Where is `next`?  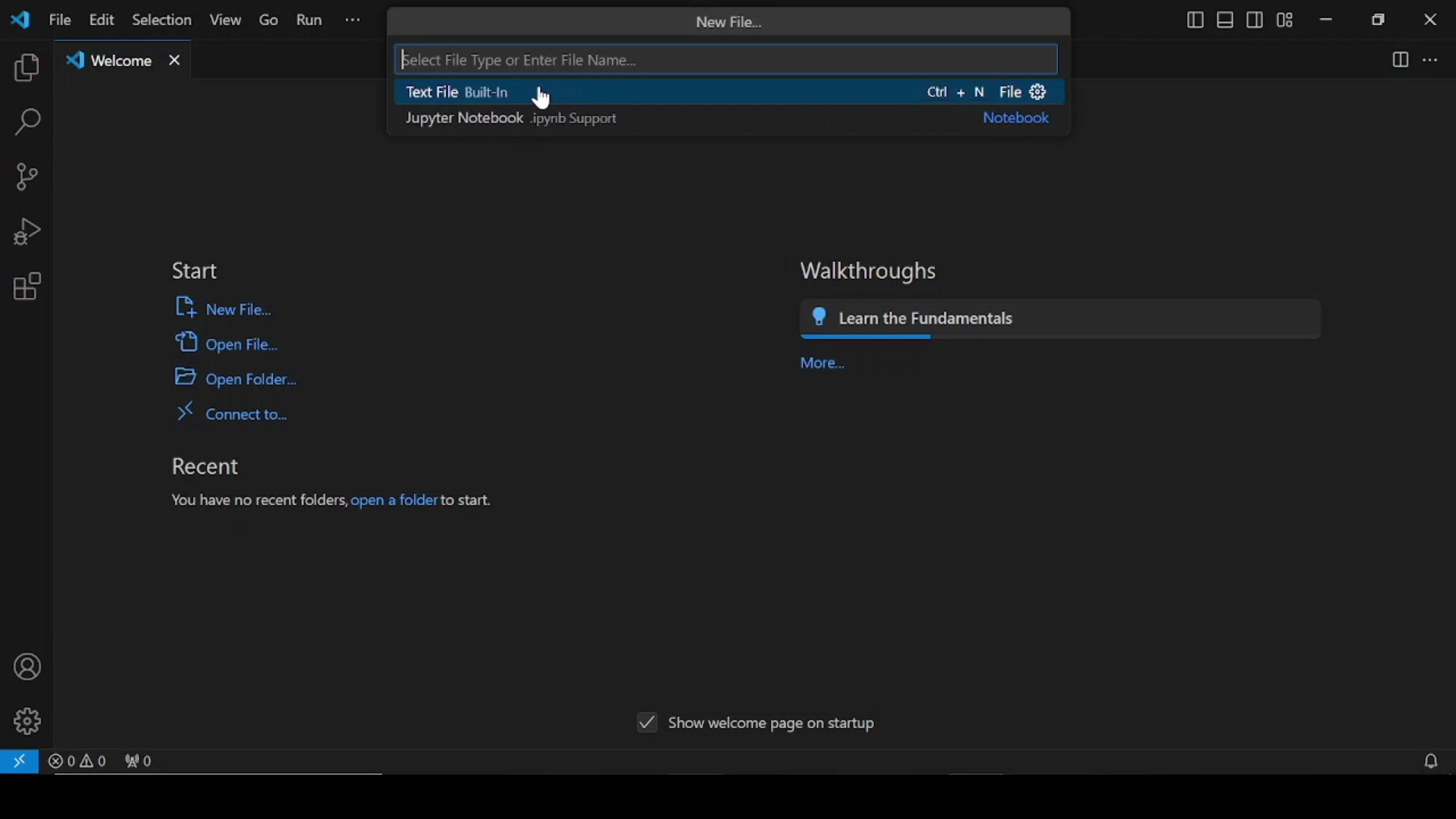
next is located at coordinates (456, 20).